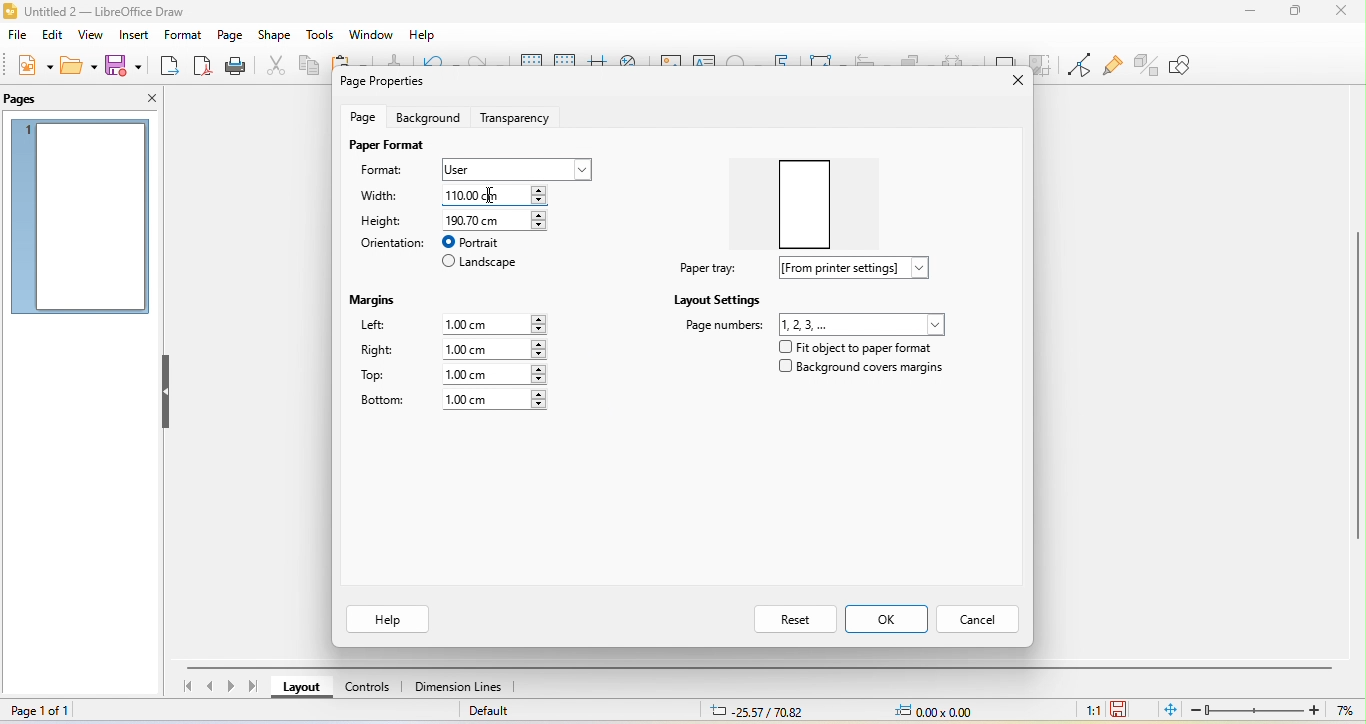 The height and width of the screenshot is (724, 1366). Describe the element at coordinates (1007, 81) in the screenshot. I see `close` at that location.